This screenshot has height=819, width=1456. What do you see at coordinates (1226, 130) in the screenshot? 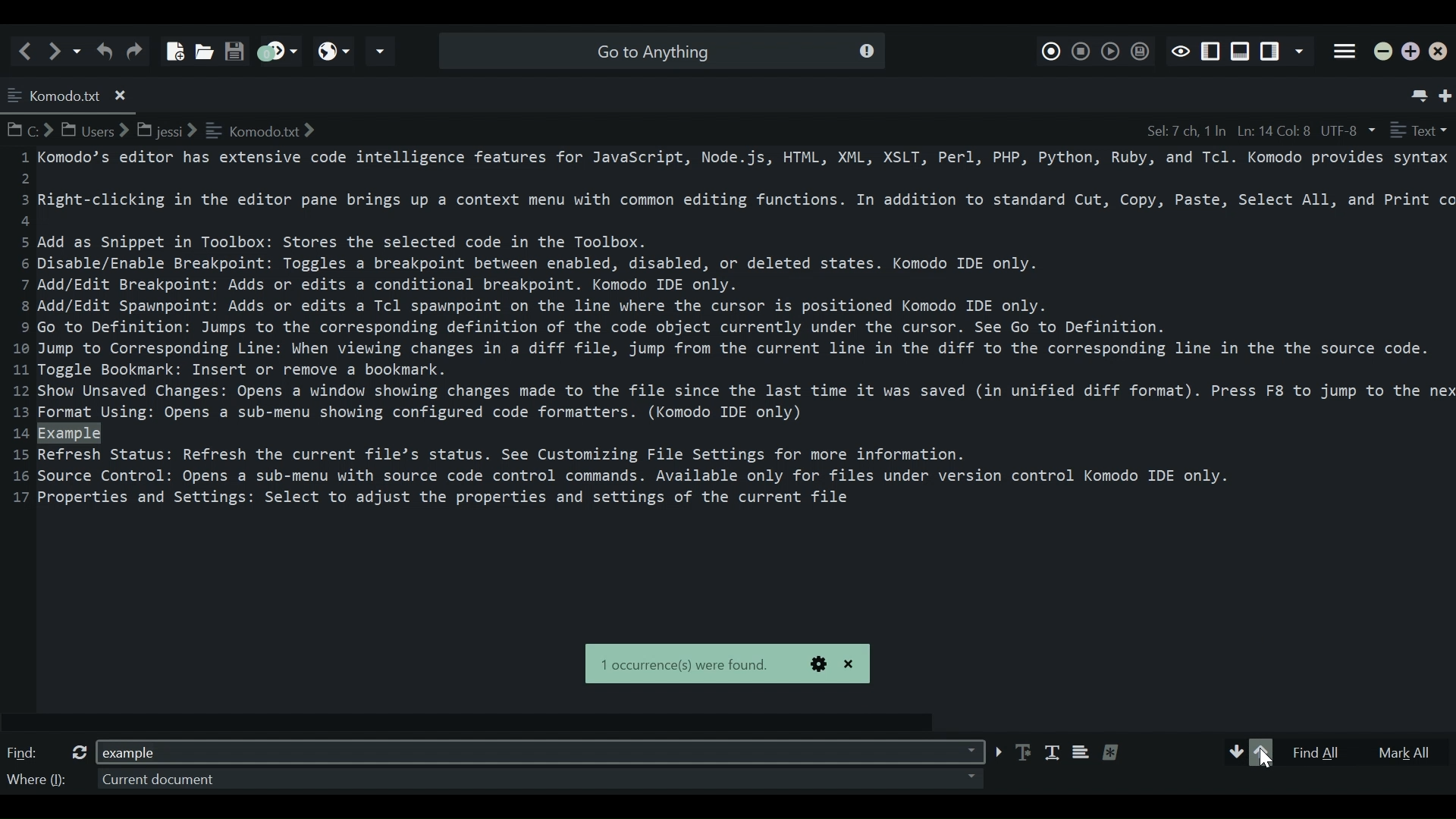
I see `File Position` at bounding box center [1226, 130].